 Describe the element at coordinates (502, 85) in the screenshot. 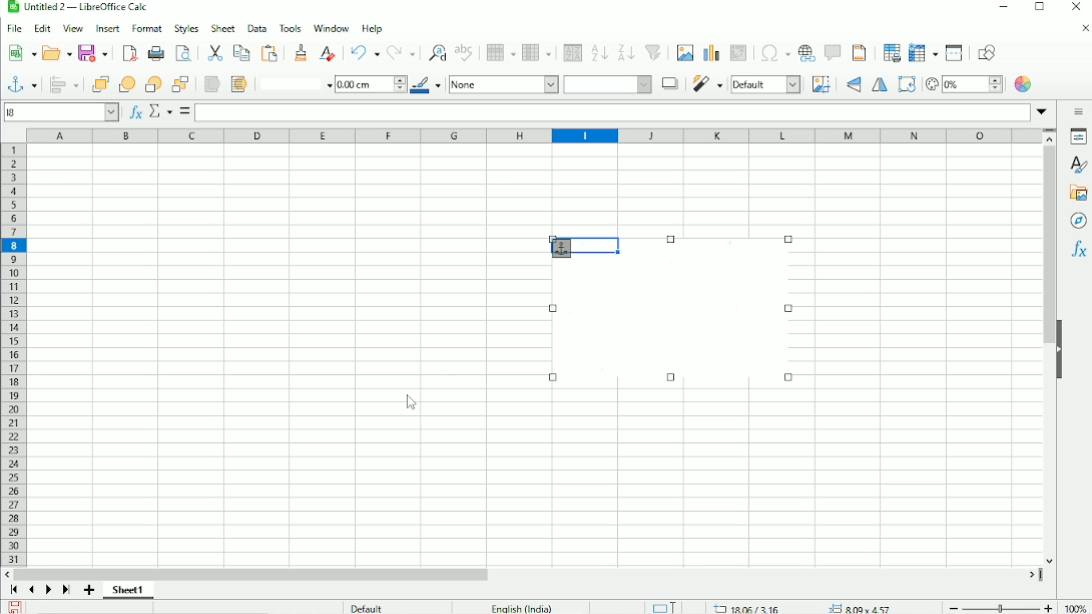

I see `None` at that location.